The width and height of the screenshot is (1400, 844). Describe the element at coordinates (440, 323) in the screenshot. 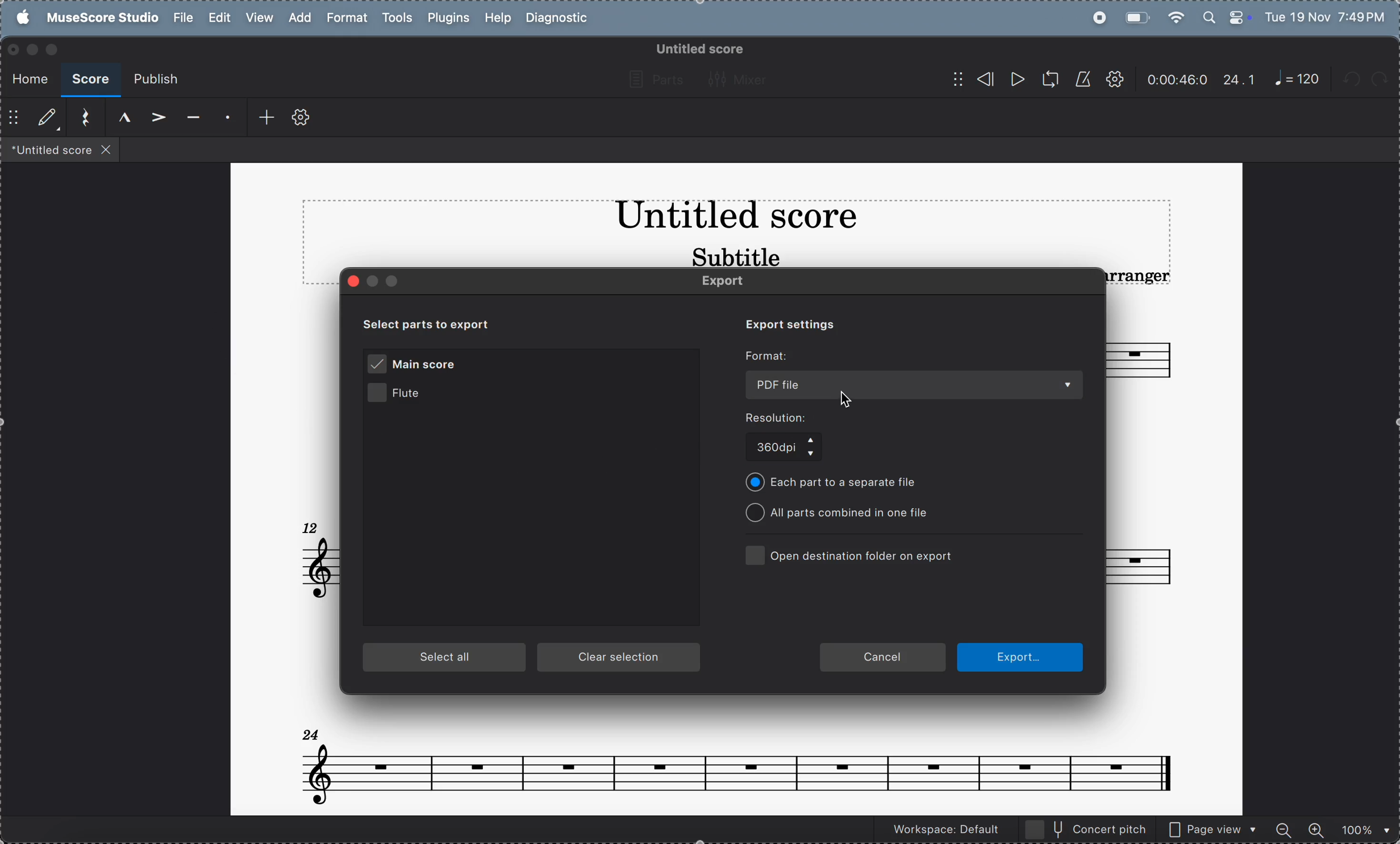

I see `select parts to exports` at that location.